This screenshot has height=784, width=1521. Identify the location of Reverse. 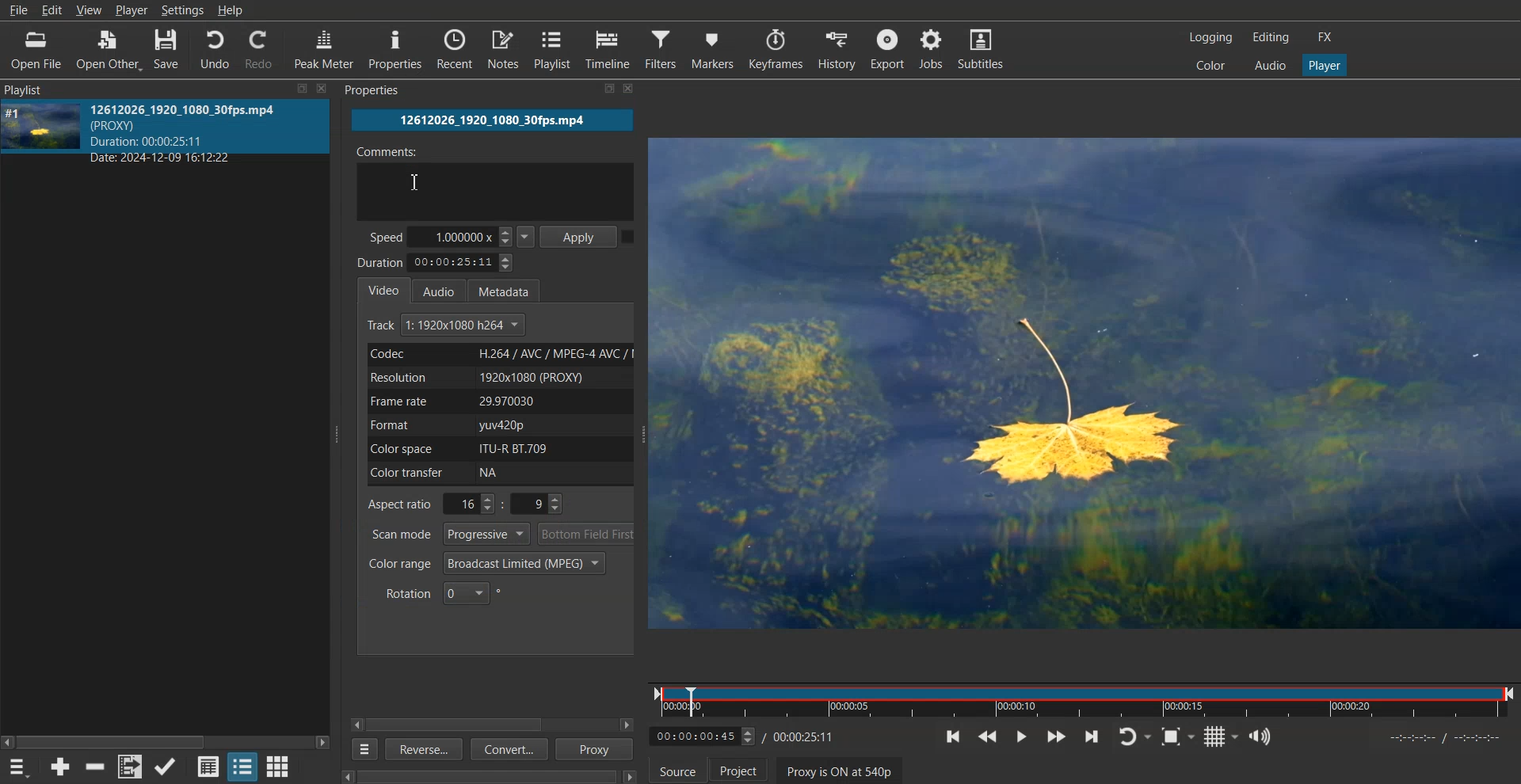
(421, 748).